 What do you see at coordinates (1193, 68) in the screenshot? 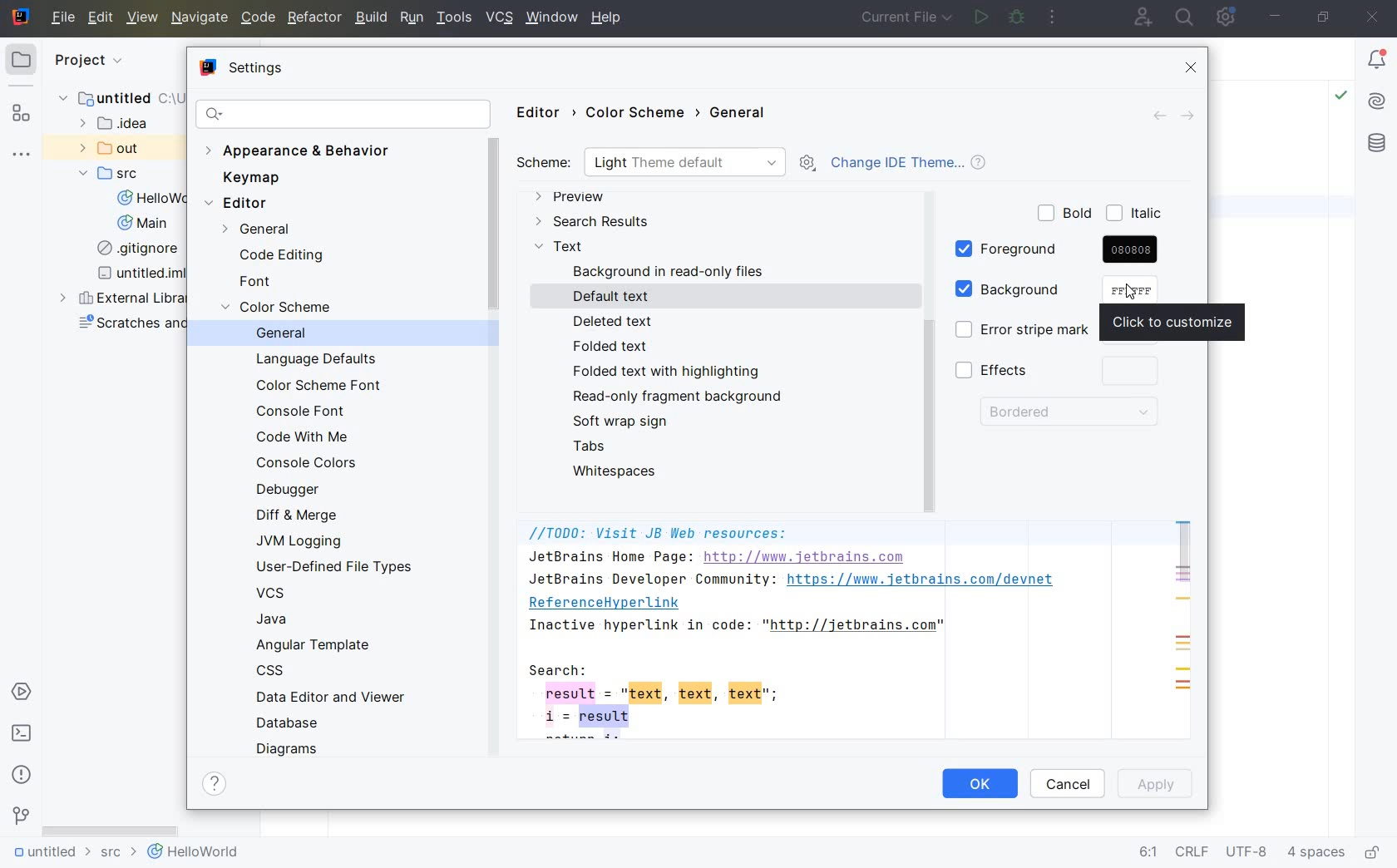
I see `CLOSE` at bounding box center [1193, 68].